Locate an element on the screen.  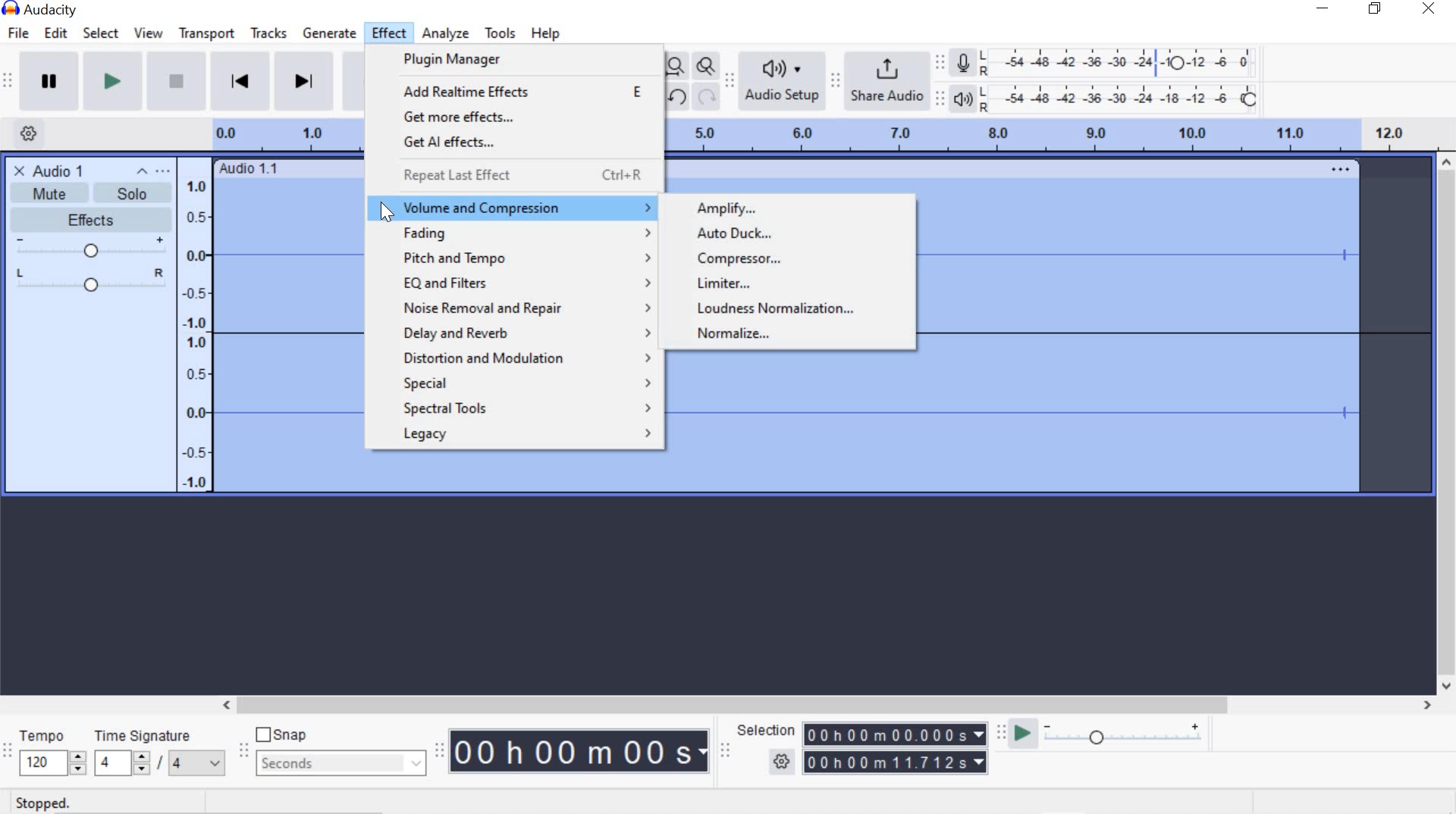
help is located at coordinates (542, 33).